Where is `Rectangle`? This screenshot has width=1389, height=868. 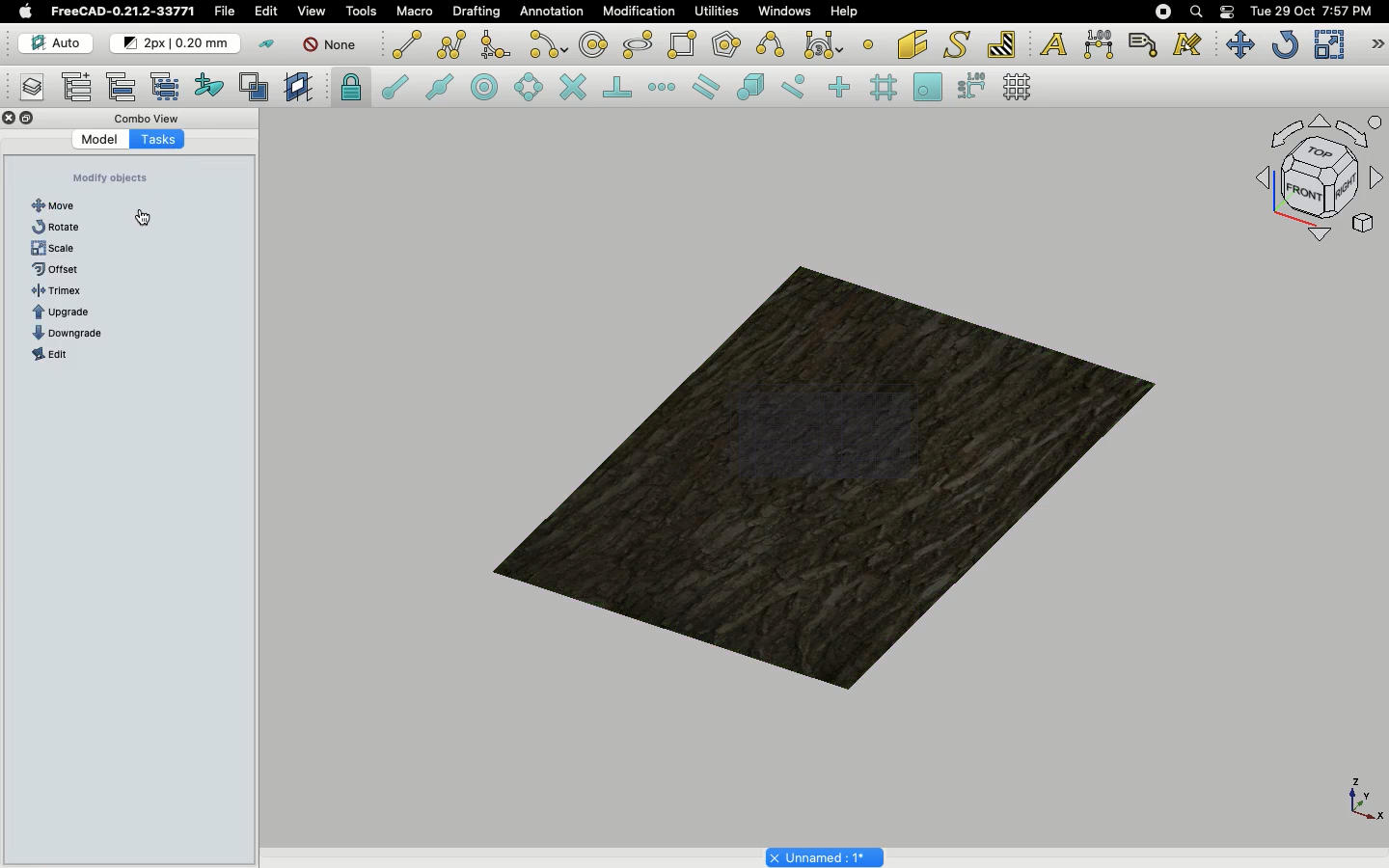 Rectangle is located at coordinates (686, 45).